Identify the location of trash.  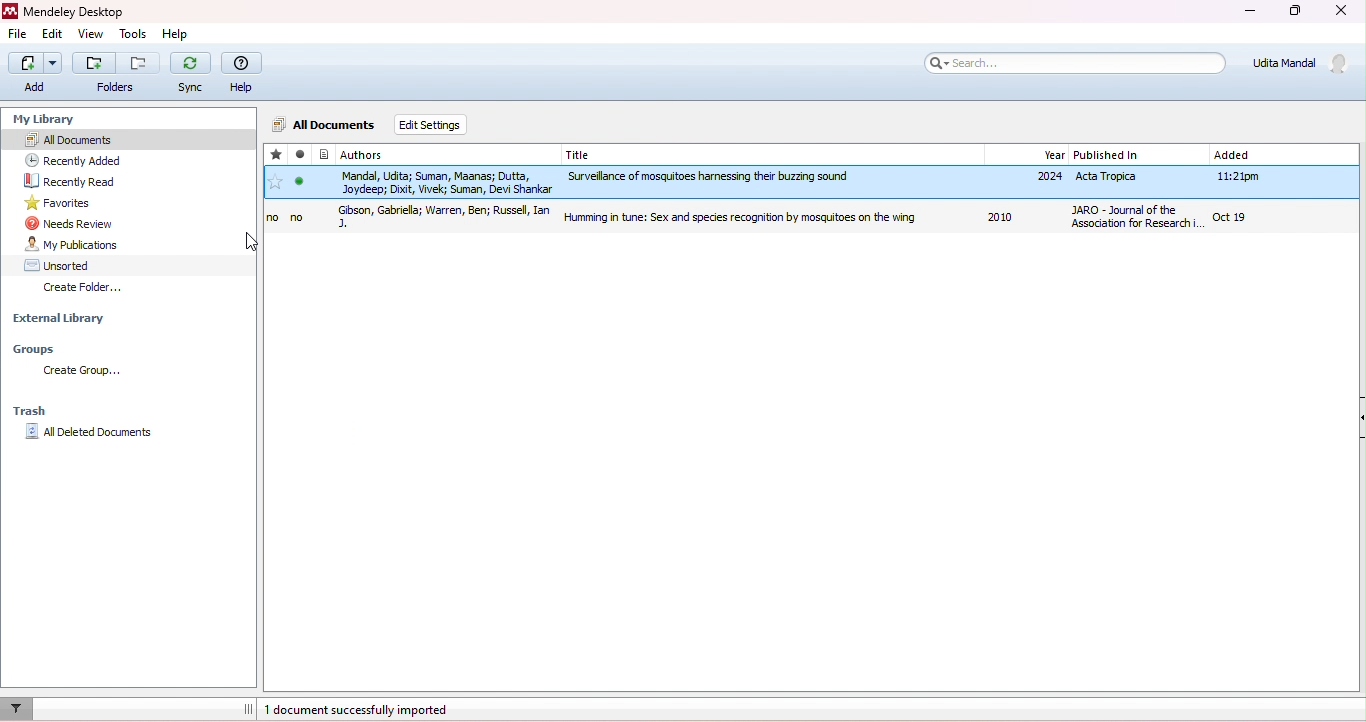
(30, 410).